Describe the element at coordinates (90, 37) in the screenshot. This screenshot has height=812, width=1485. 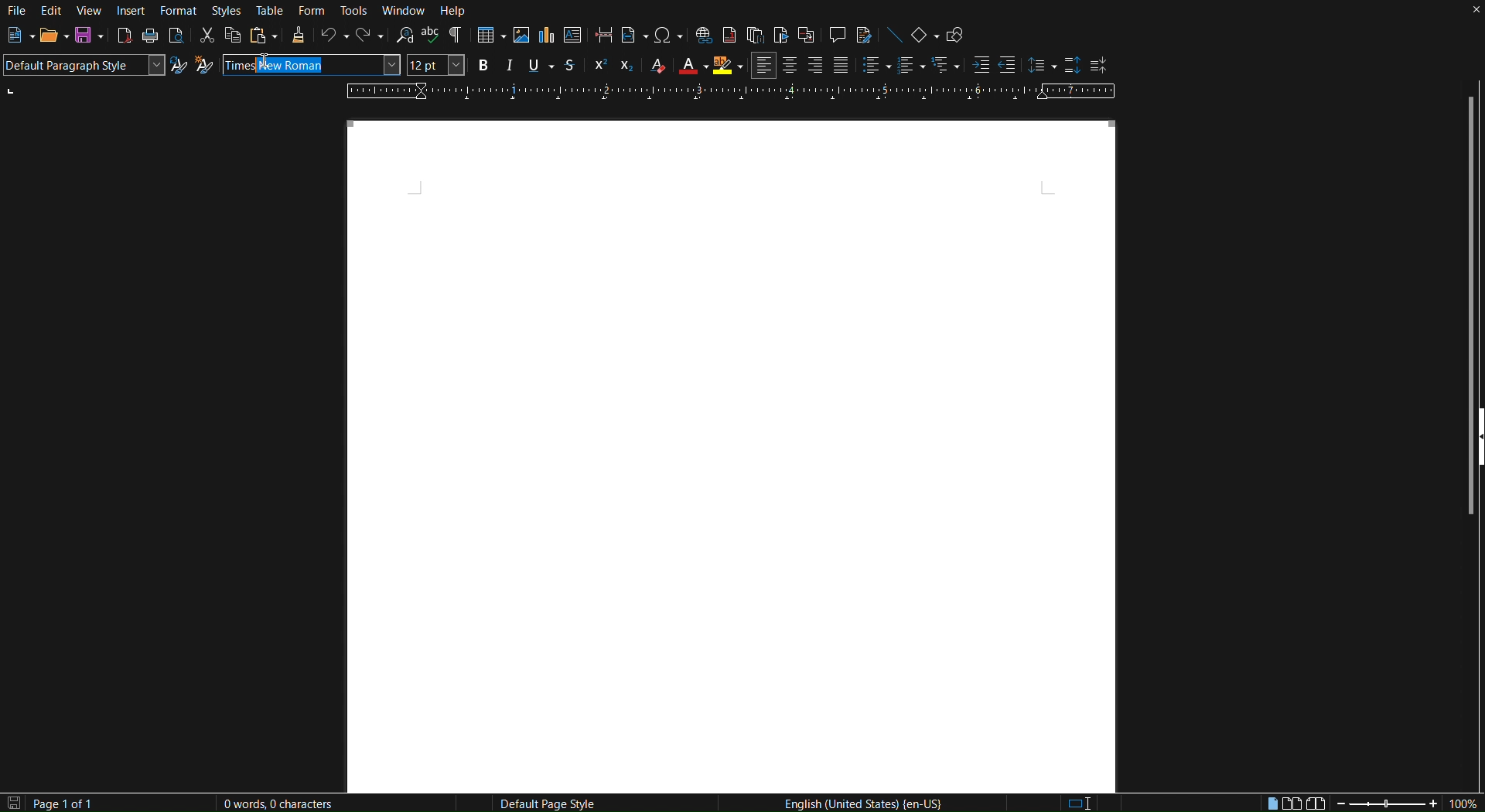
I see `Save` at that location.